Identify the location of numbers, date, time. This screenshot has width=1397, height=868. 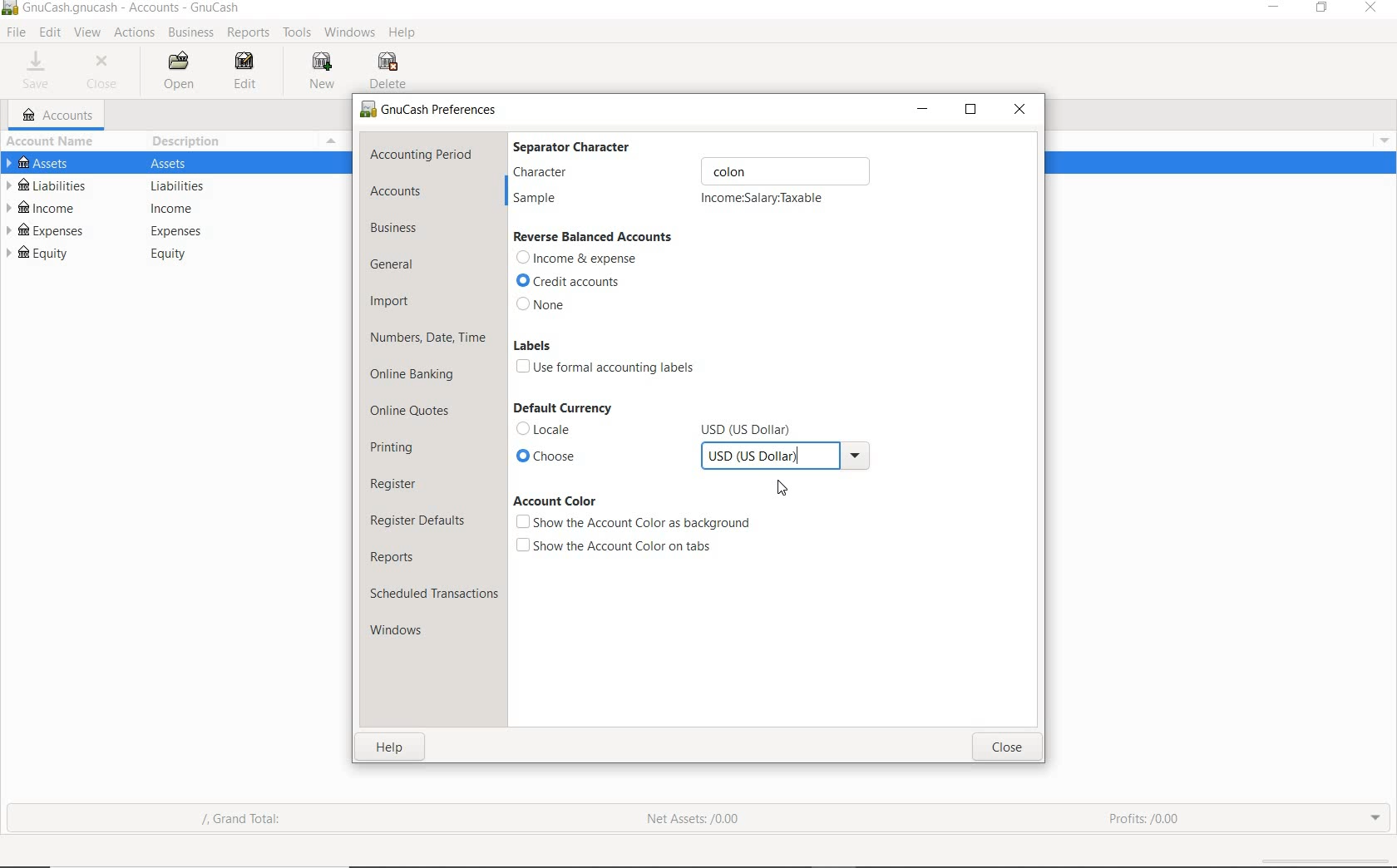
(428, 339).